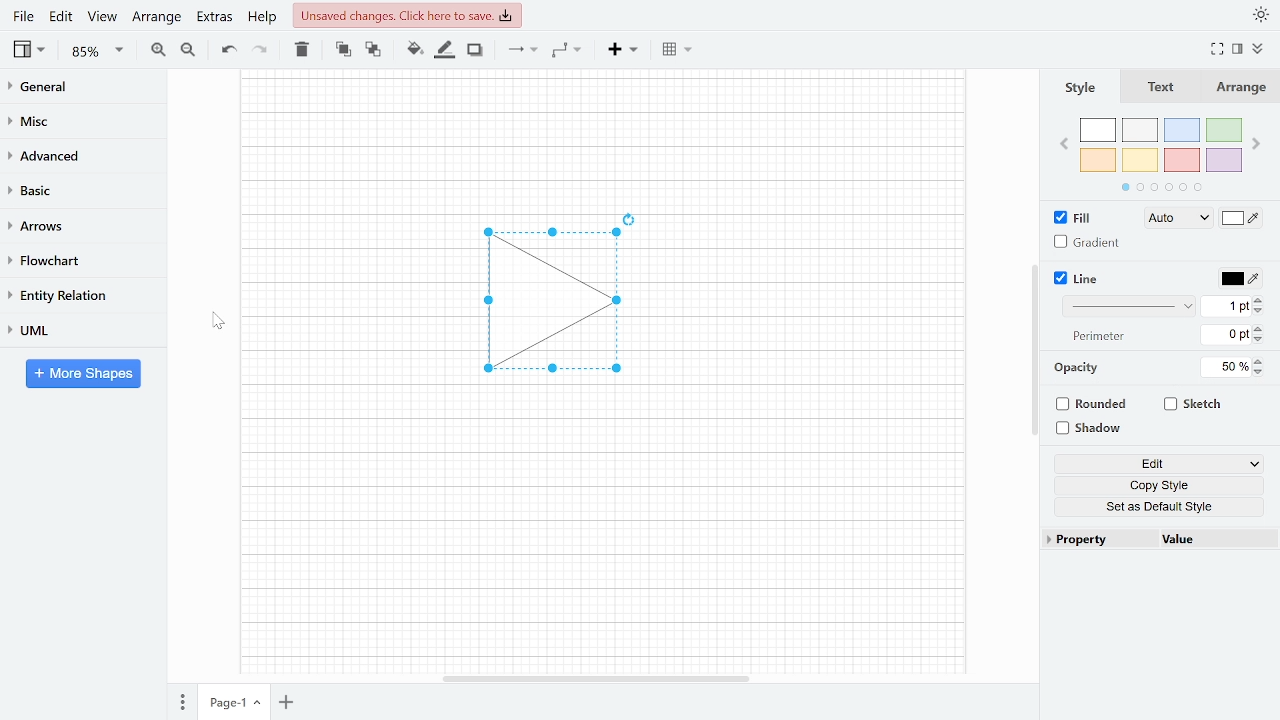  I want to click on To front, so click(343, 49).